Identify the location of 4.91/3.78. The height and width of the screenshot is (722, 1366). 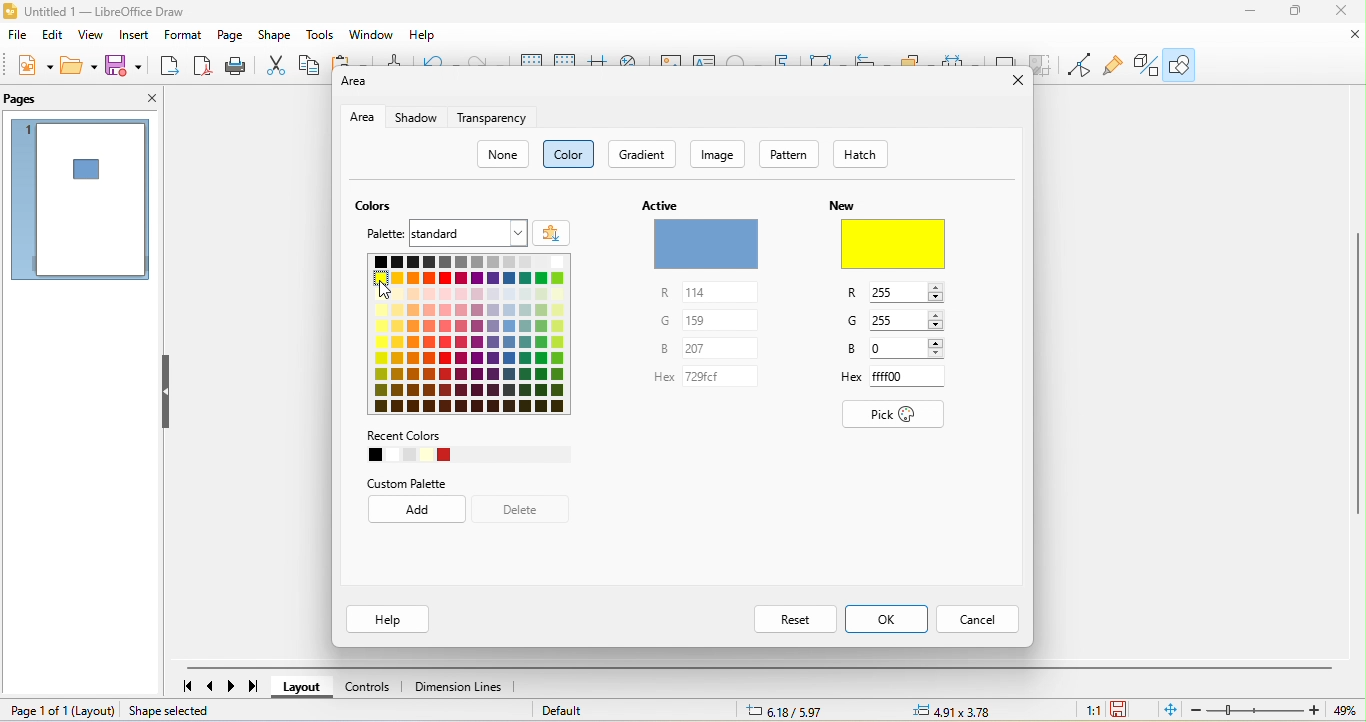
(954, 711).